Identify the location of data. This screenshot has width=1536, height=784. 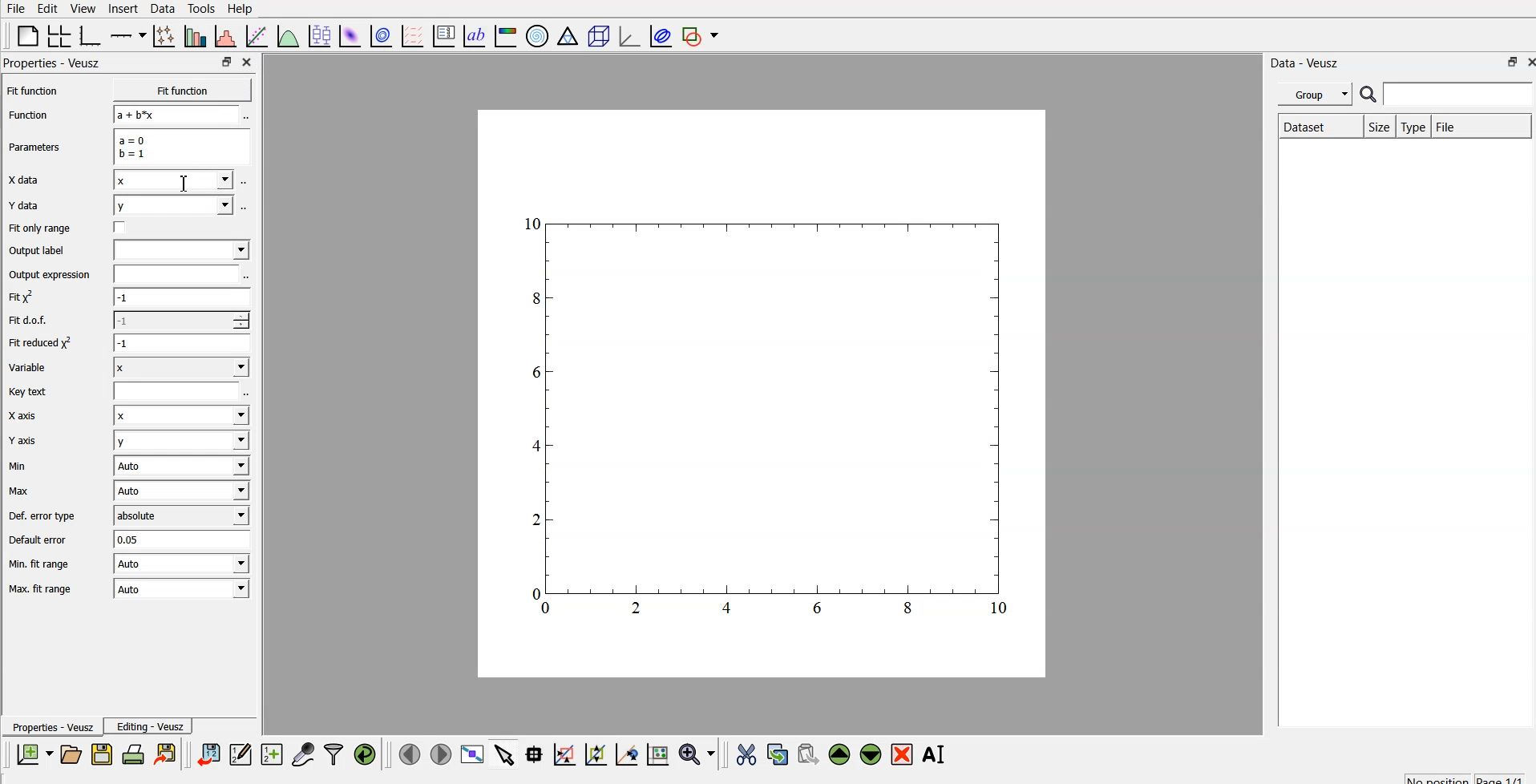
(162, 8).